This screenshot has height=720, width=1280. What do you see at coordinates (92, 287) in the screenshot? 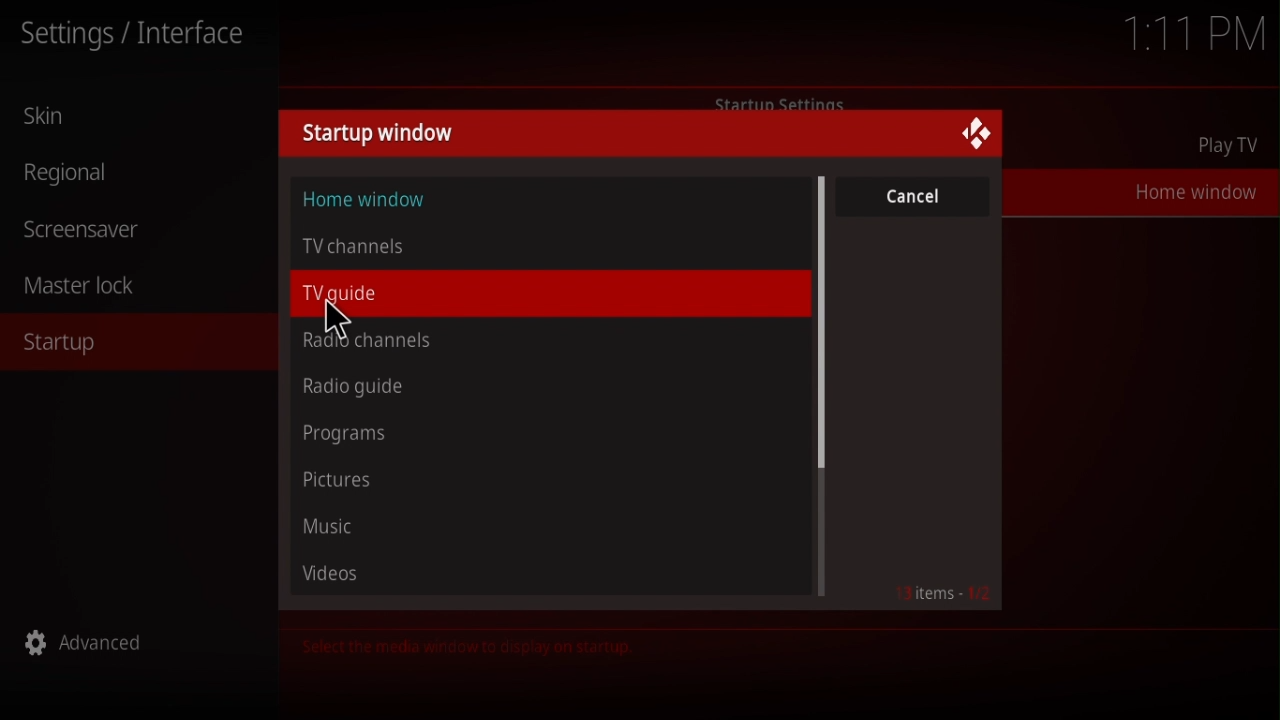
I see `master lock` at bounding box center [92, 287].